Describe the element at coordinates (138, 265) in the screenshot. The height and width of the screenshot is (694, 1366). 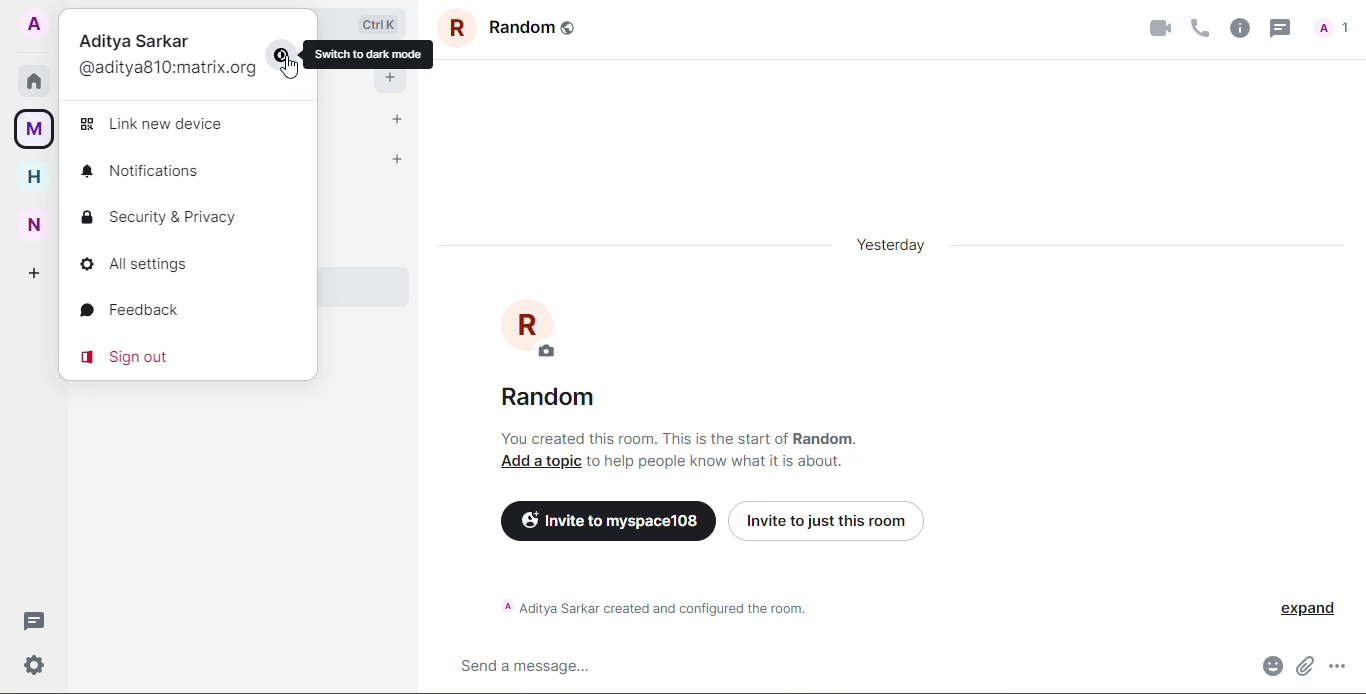
I see `all settings` at that location.